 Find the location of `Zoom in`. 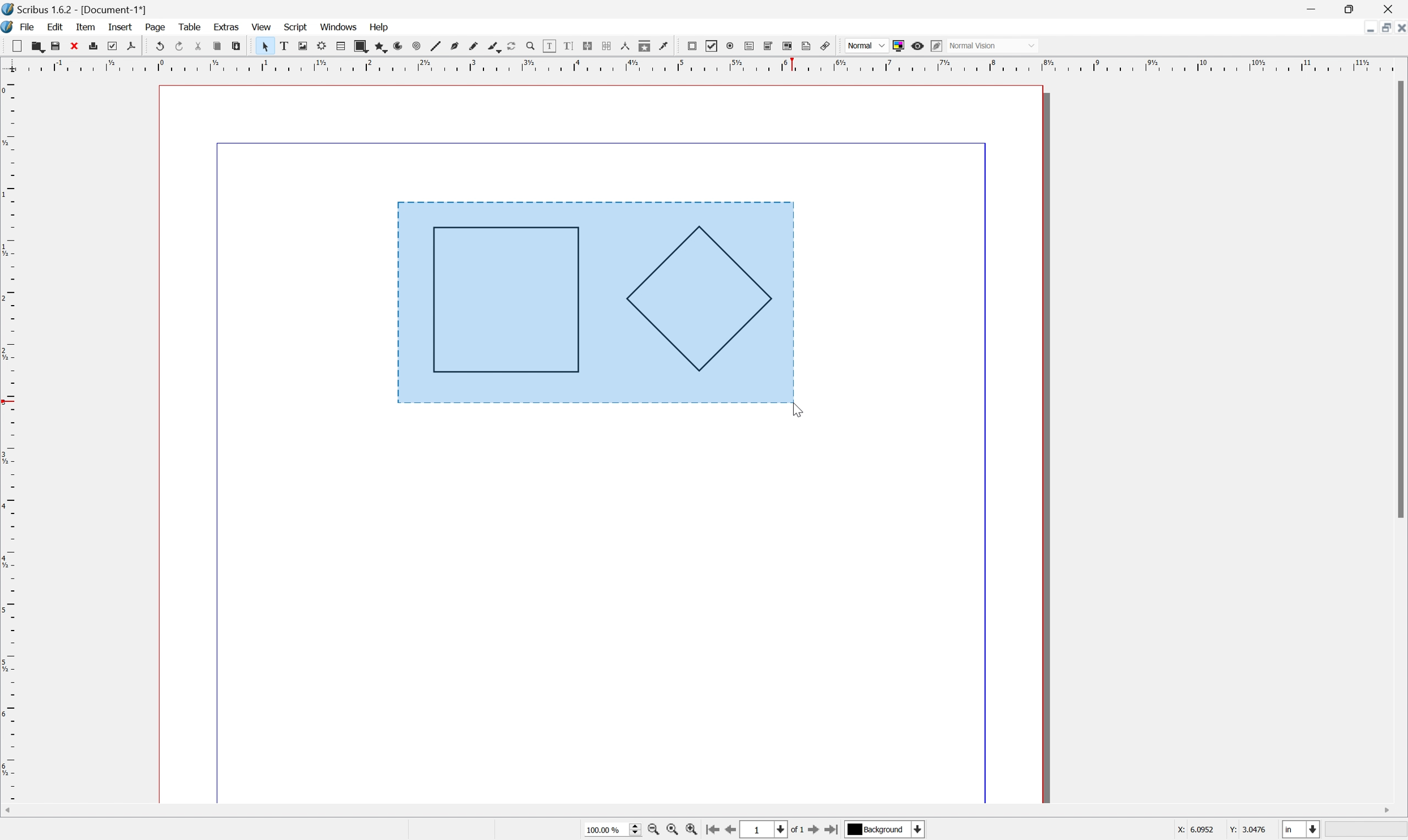

Zoom in is located at coordinates (687, 830).